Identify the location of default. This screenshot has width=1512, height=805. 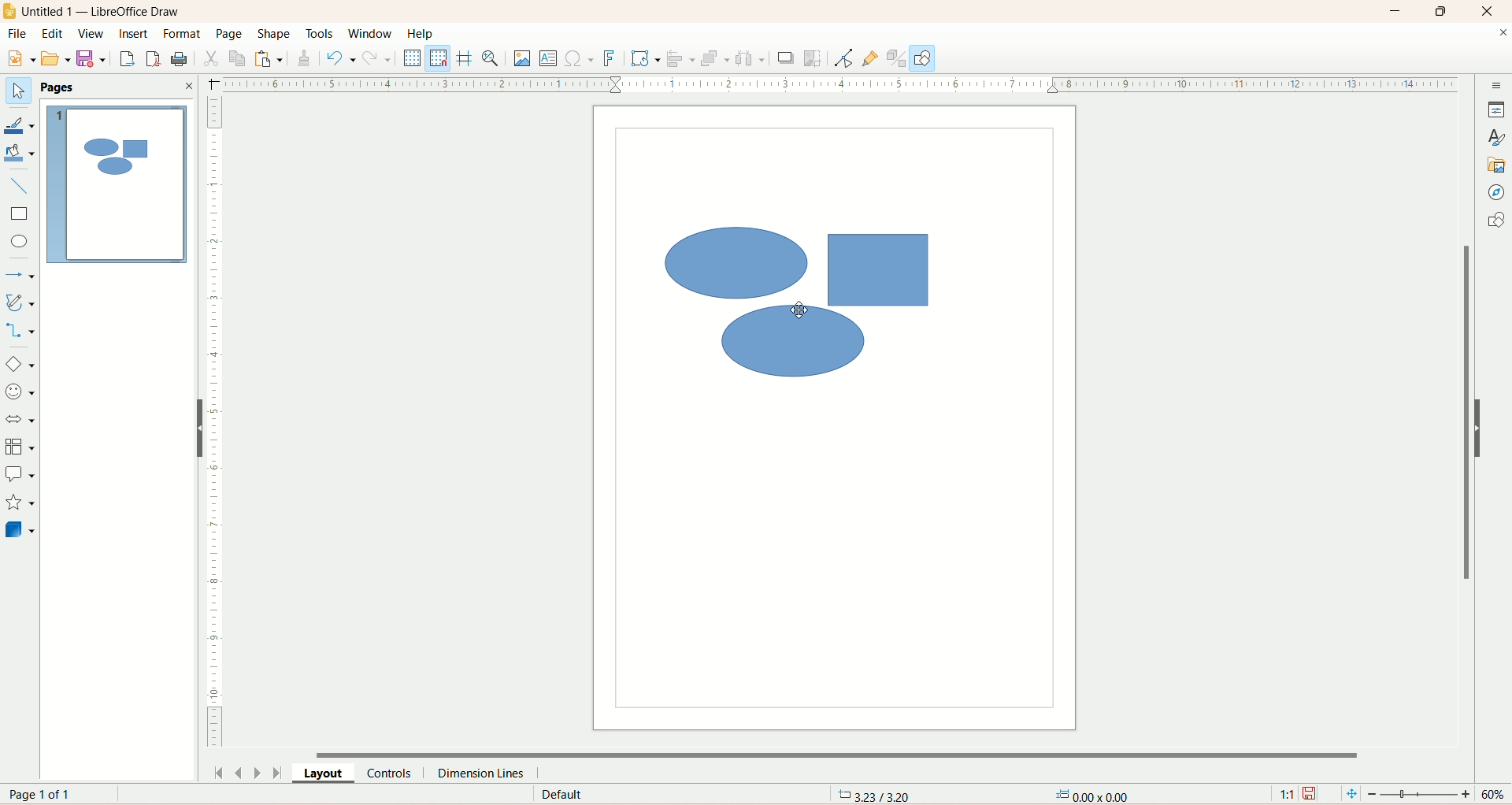
(560, 795).